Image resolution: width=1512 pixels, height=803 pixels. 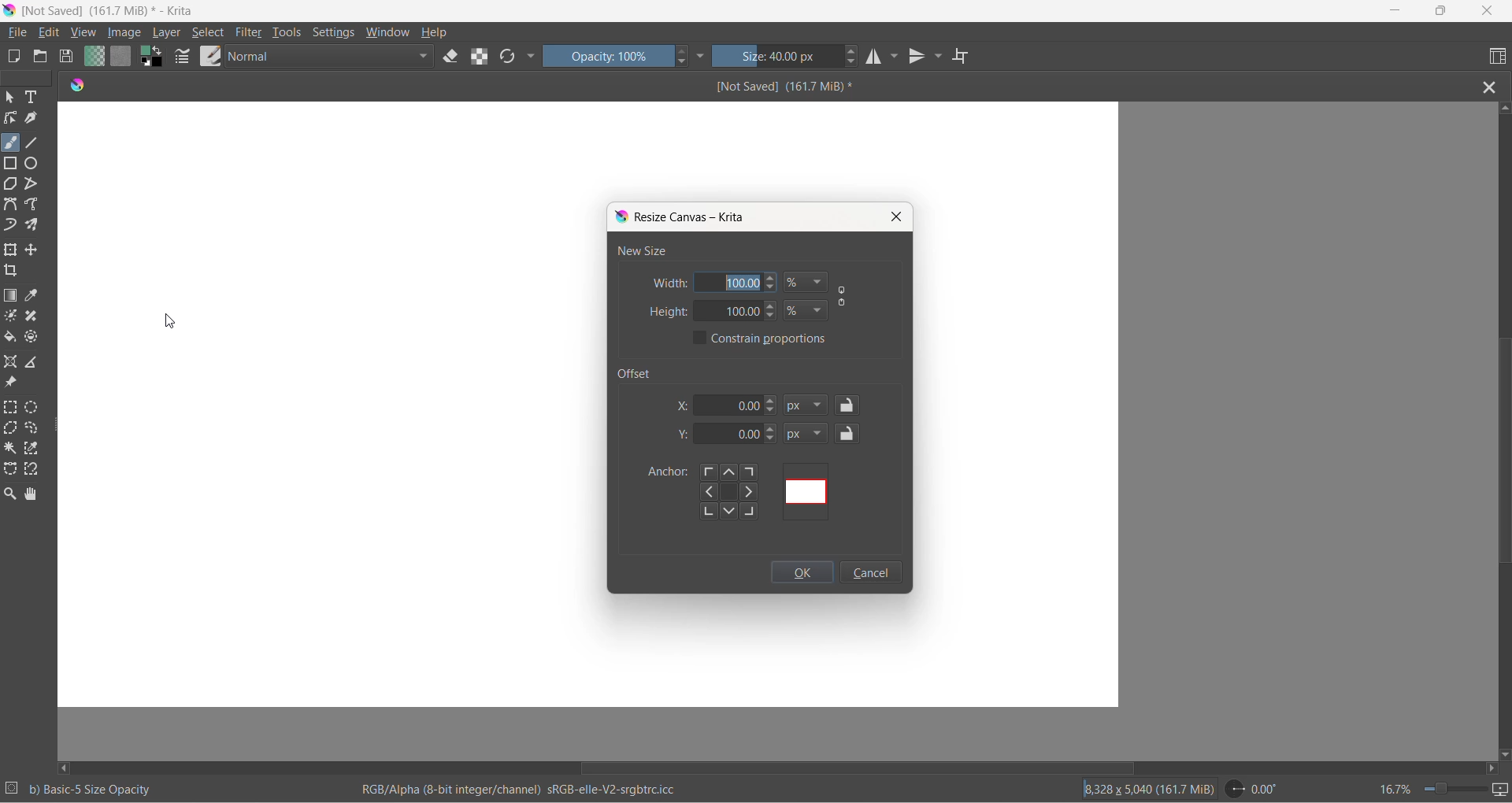 I want to click on x-axis, so click(x=684, y=405).